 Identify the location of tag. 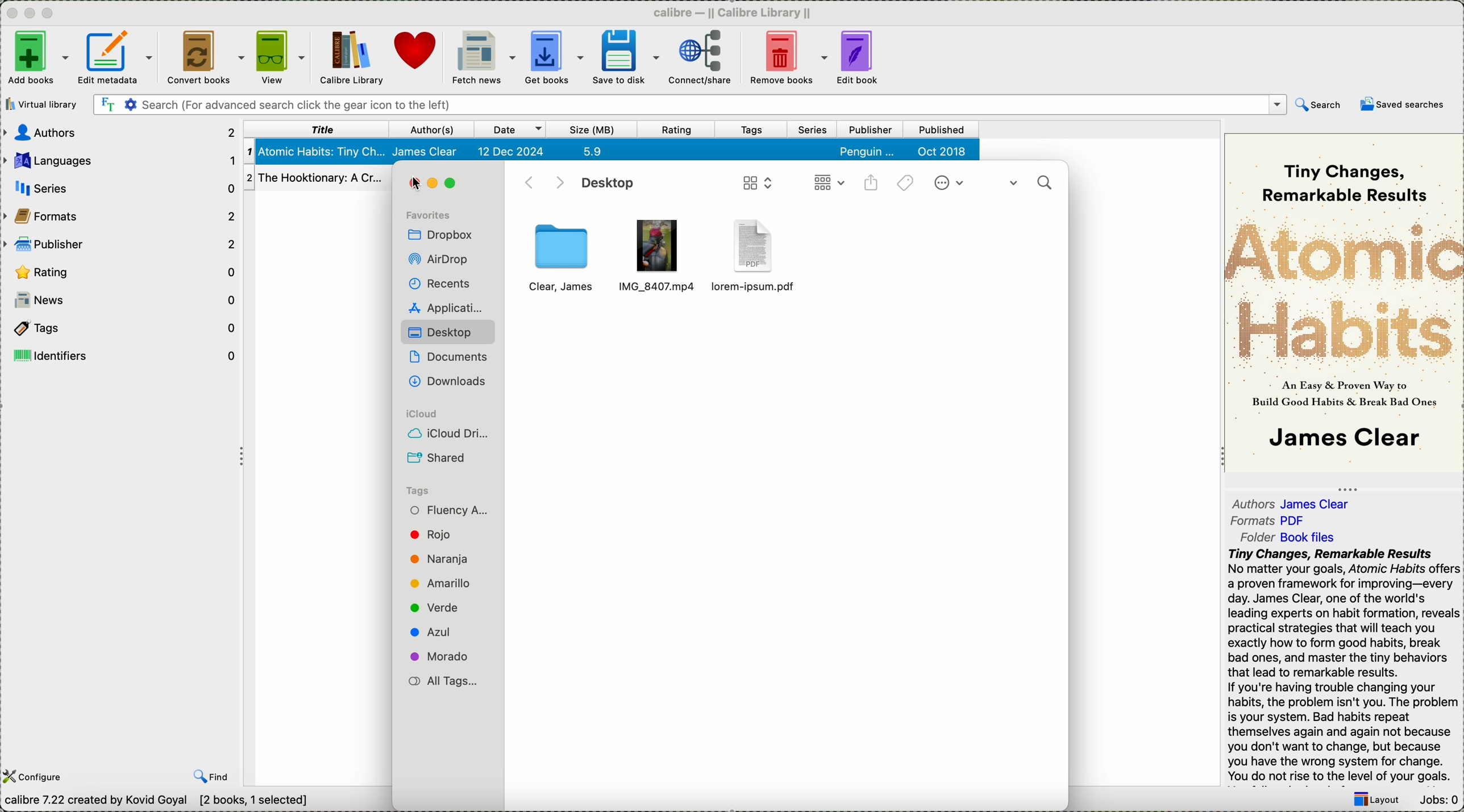
(435, 607).